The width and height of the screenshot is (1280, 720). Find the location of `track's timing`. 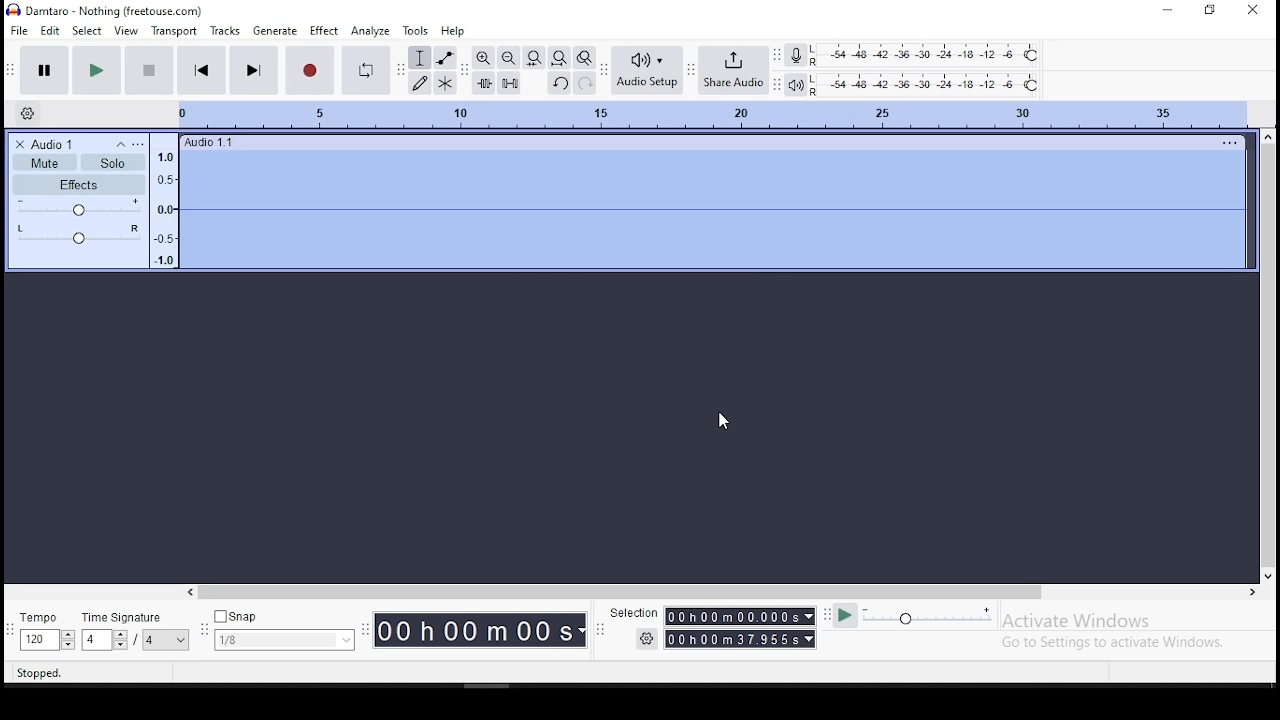

track's timing is located at coordinates (716, 114).